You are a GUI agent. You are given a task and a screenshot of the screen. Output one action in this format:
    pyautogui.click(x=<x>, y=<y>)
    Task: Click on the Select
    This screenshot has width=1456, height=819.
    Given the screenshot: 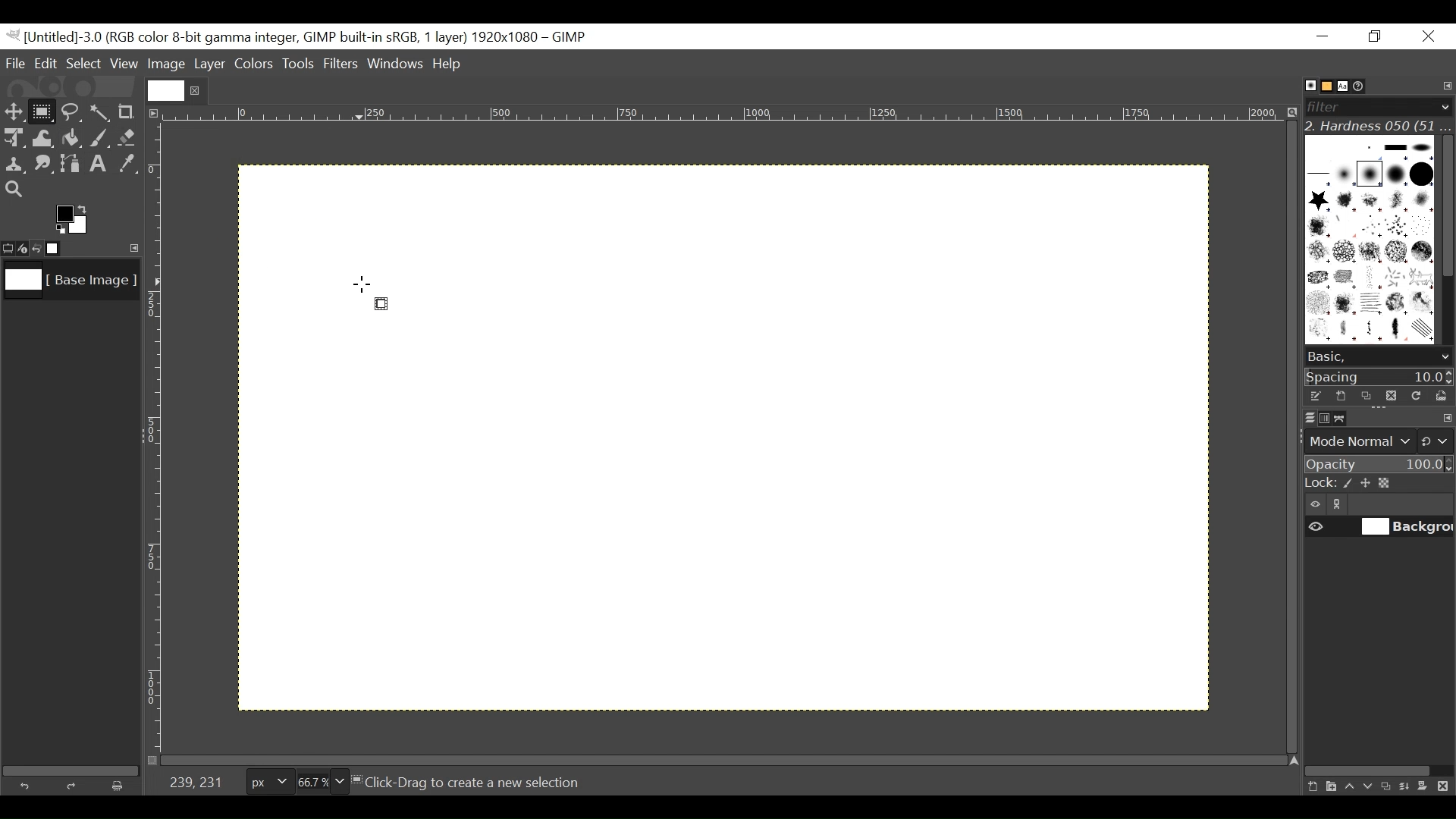 What is the action you would take?
    pyautogui.click(x=84, y=63)
    